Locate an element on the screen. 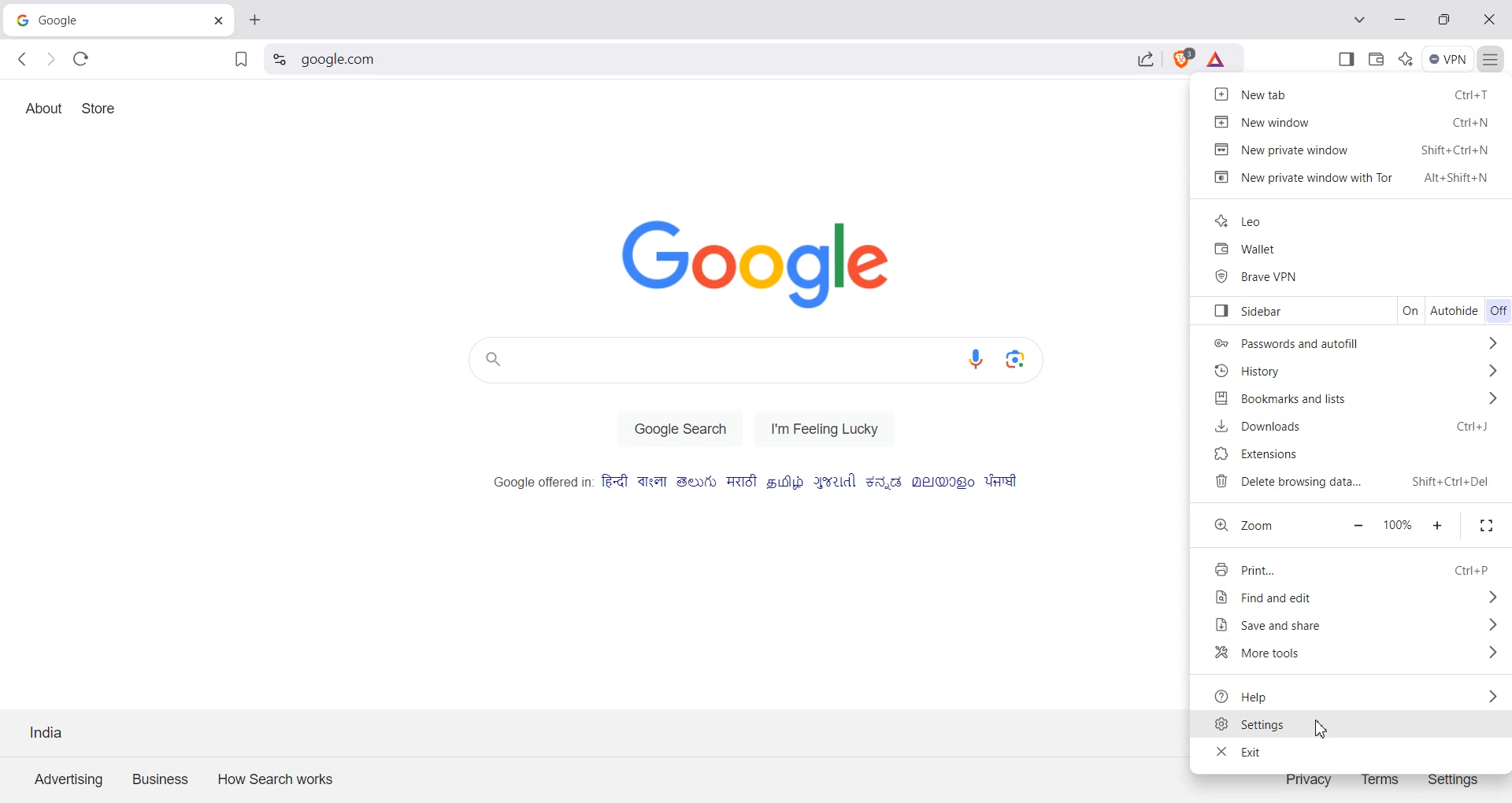 This screenshot has width=1512, height=803. Search is located at coordinates (713, 61).